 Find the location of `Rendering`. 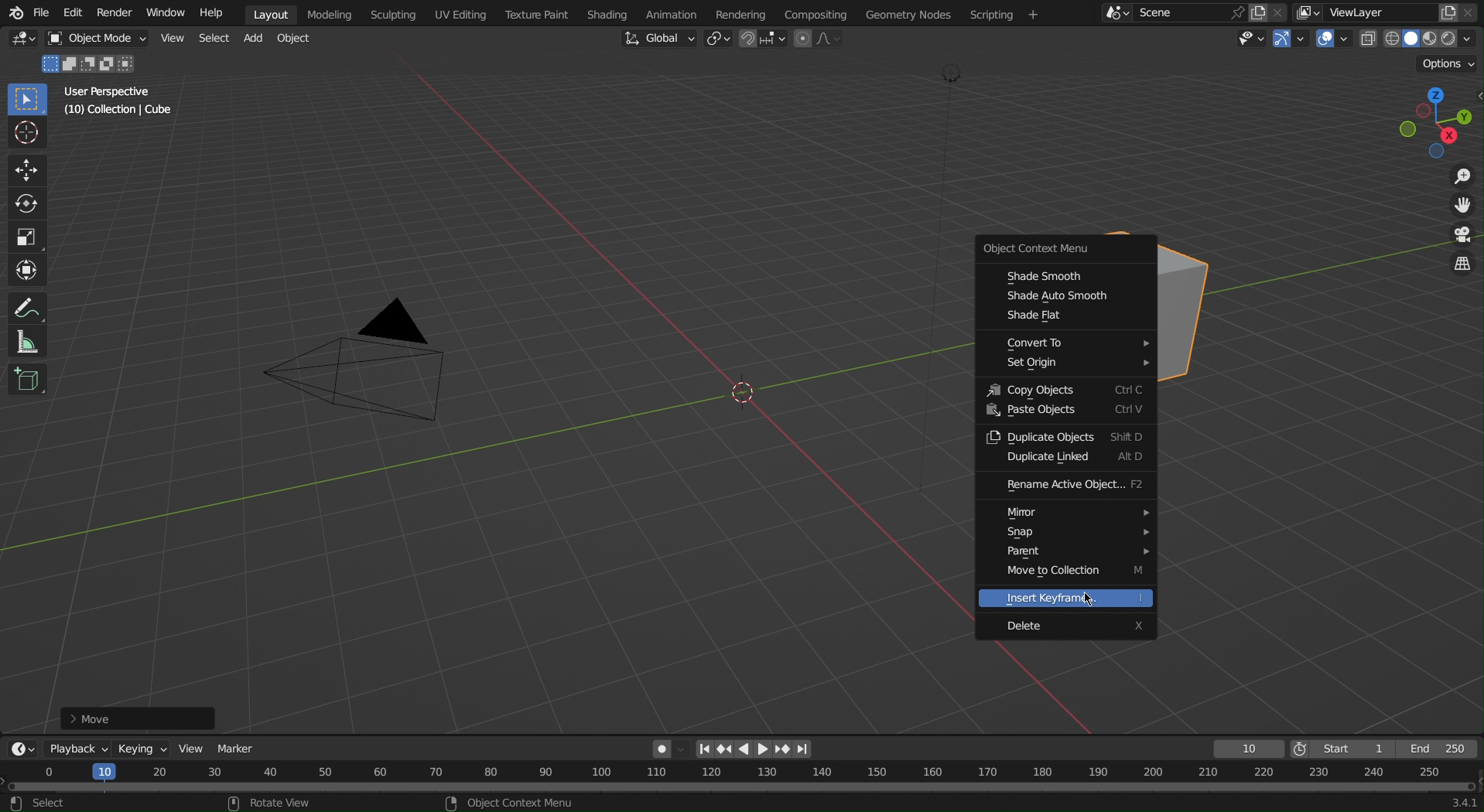

Rendering is located at coordinates (746, 14).